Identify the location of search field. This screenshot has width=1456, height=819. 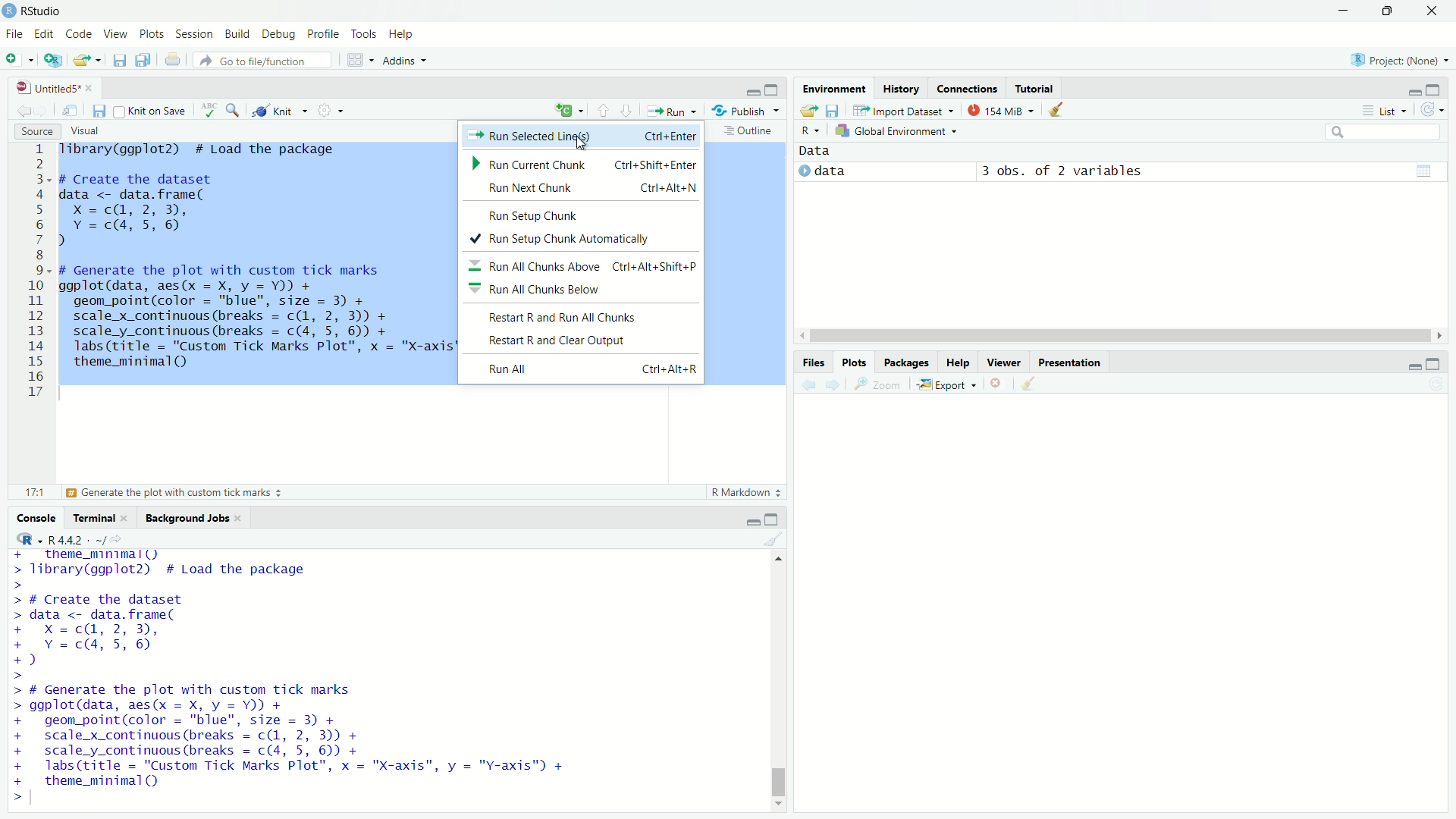
(1386, 134).